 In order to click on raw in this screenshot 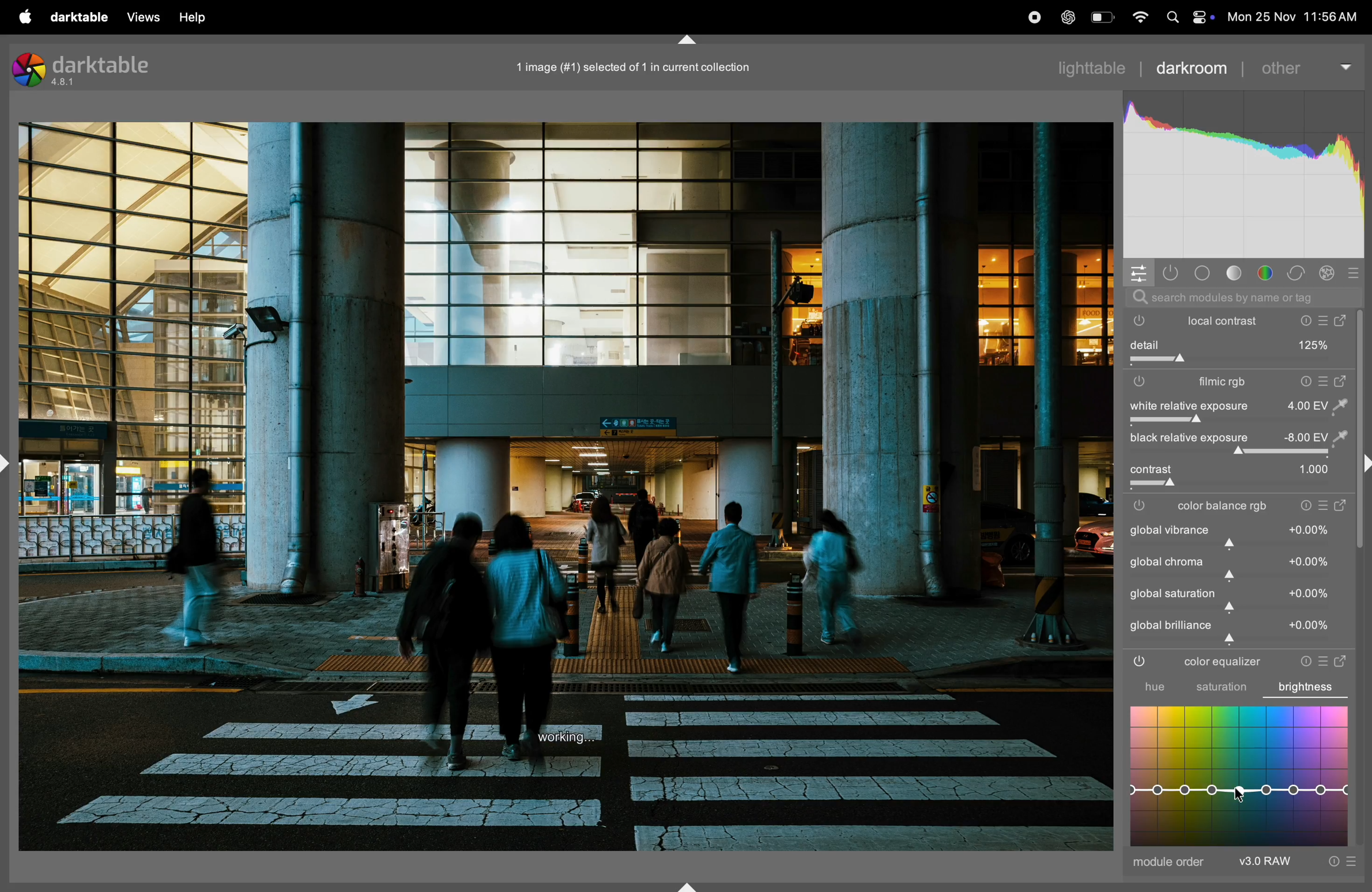, I will do `click(1299, 862)`.